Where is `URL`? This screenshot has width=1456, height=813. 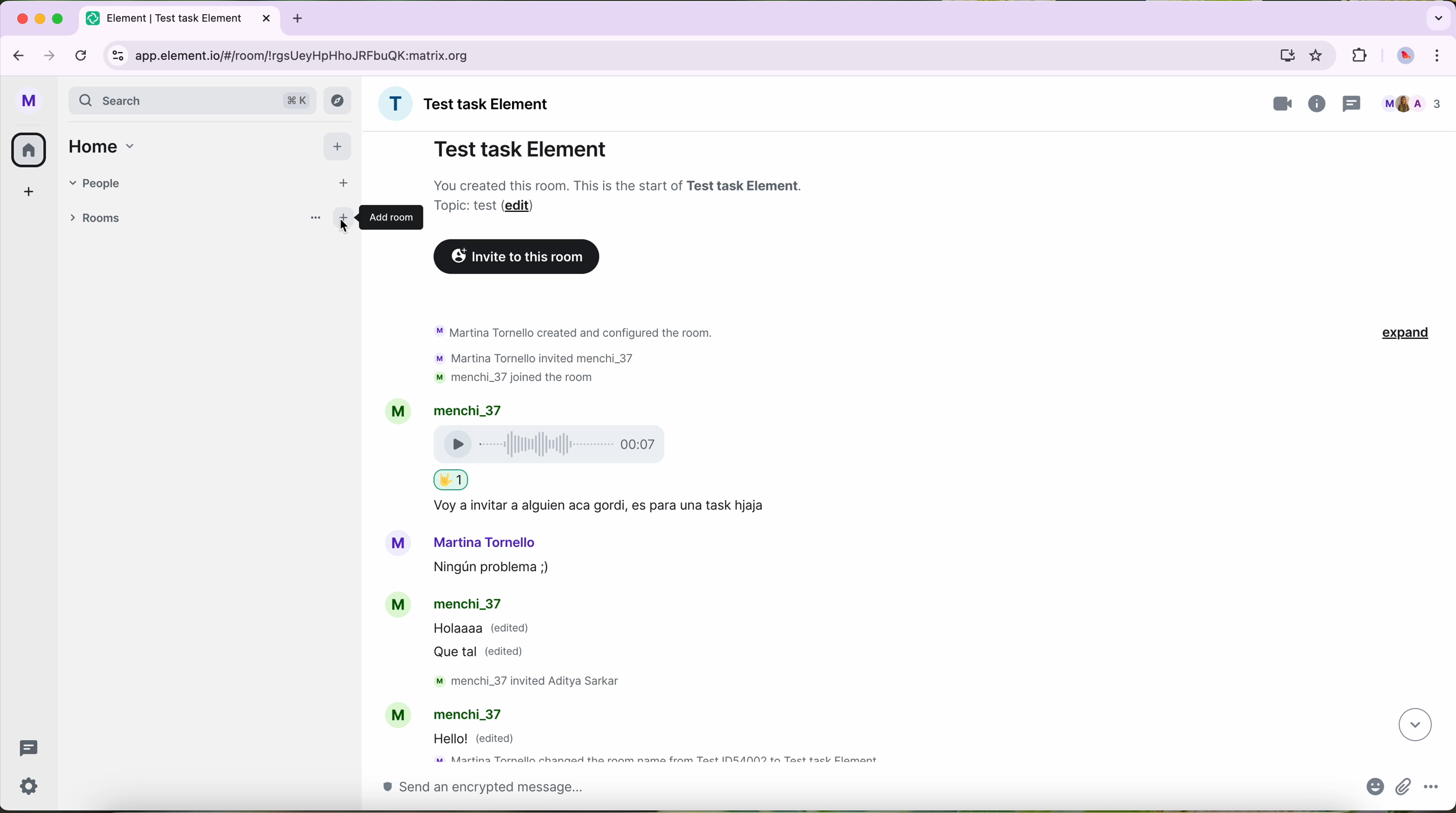 URL is located at coordinates (313, 55).